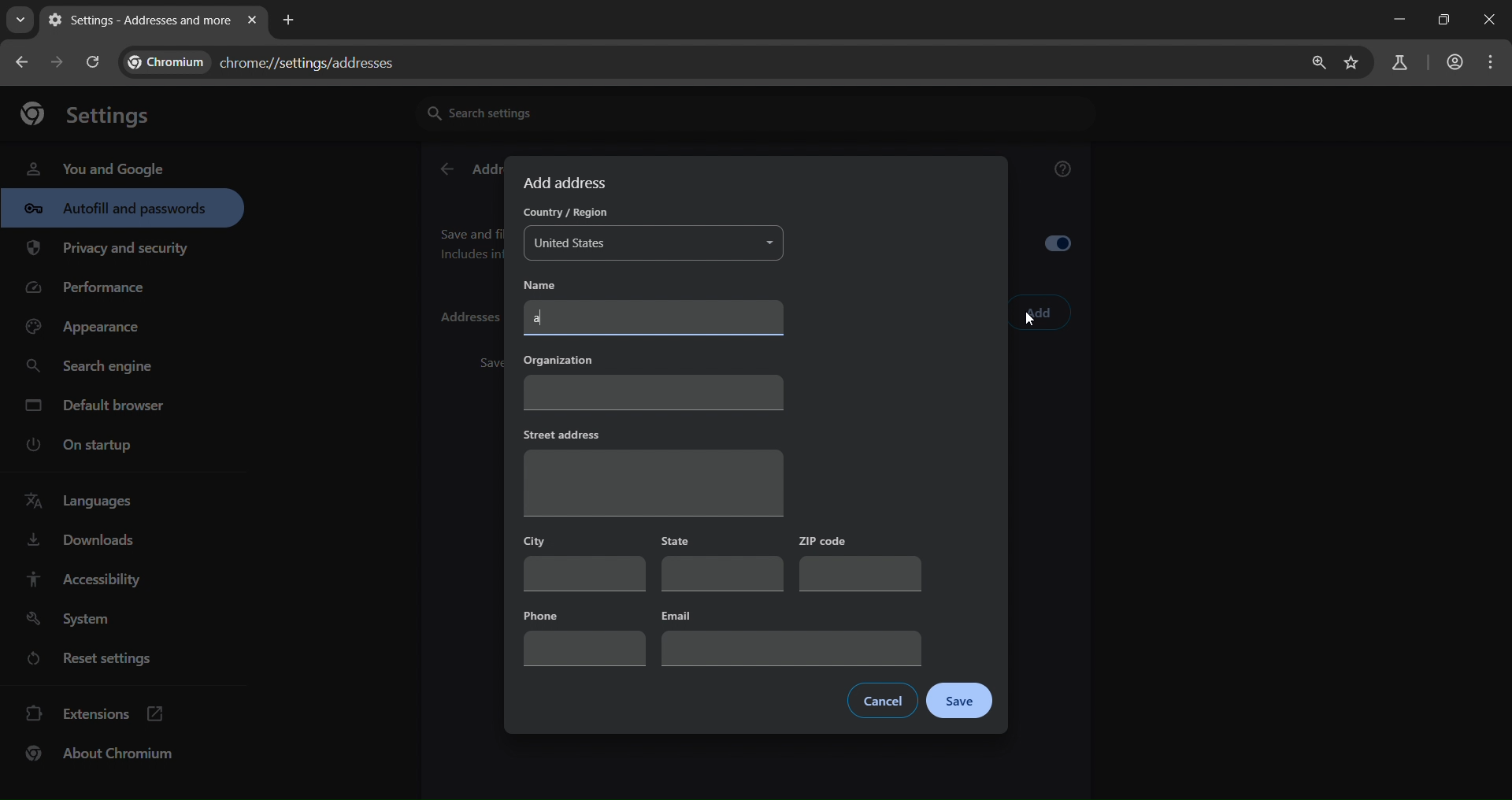 Image resolution: width=1512 pixels, height=800 pixels. What do you see at coordinates (24, 61) in the screenshot?
I see `go back one page` at bounding box center [24, 61].